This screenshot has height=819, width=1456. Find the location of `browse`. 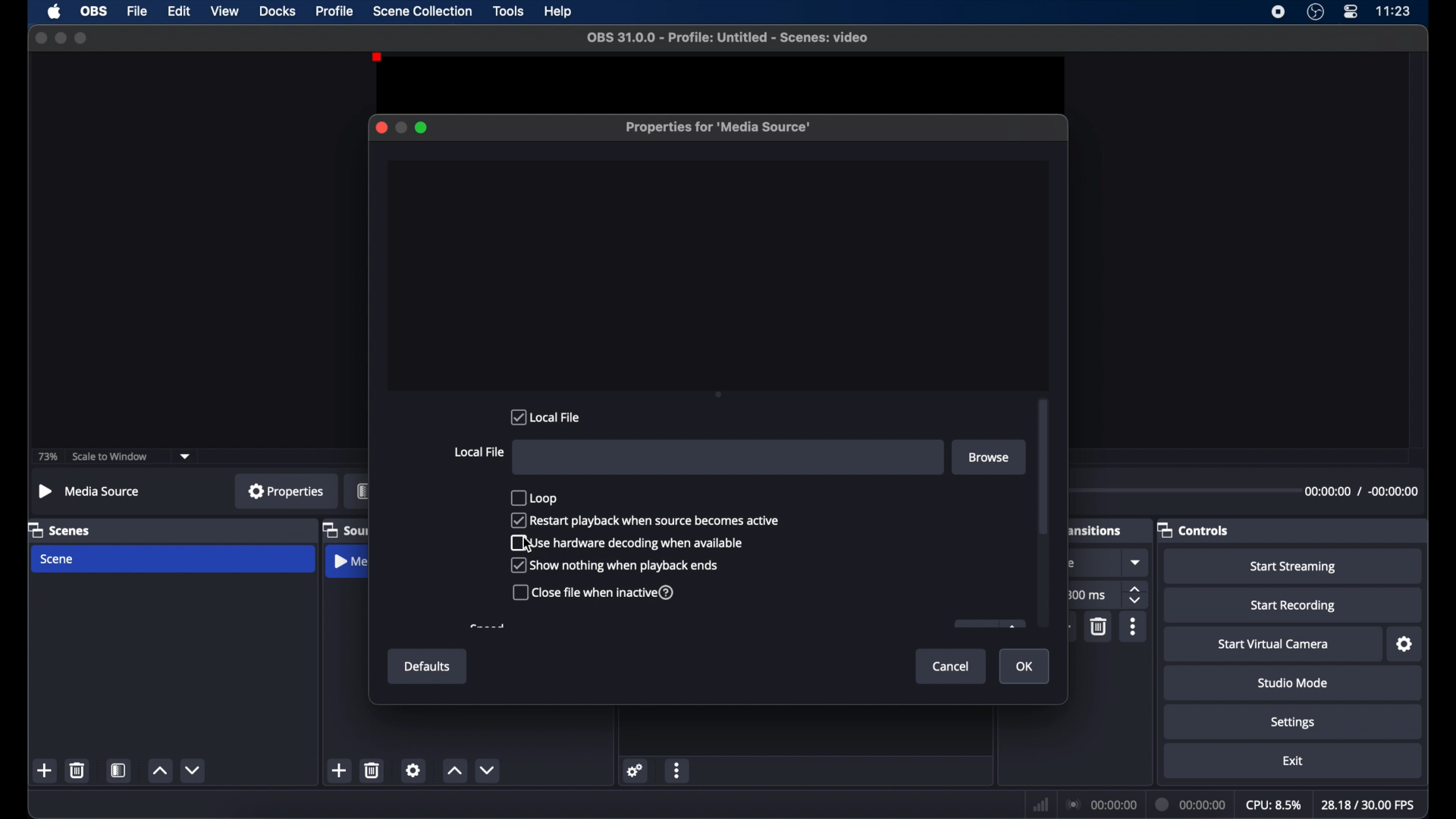

browse is located at coordinates (989, 457).